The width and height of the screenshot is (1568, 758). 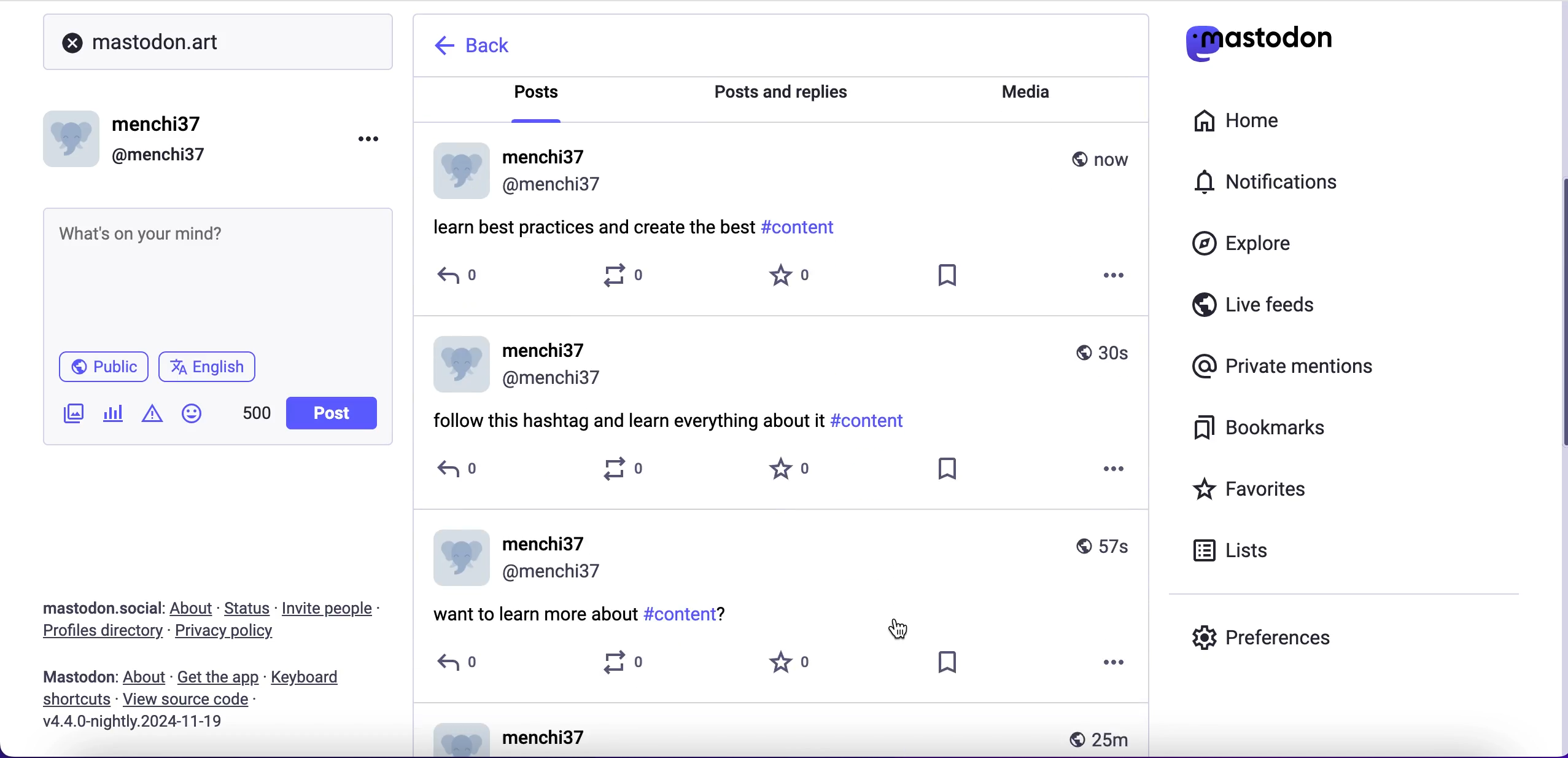 I want to click on privacy policy, so click(x=230, y=634).